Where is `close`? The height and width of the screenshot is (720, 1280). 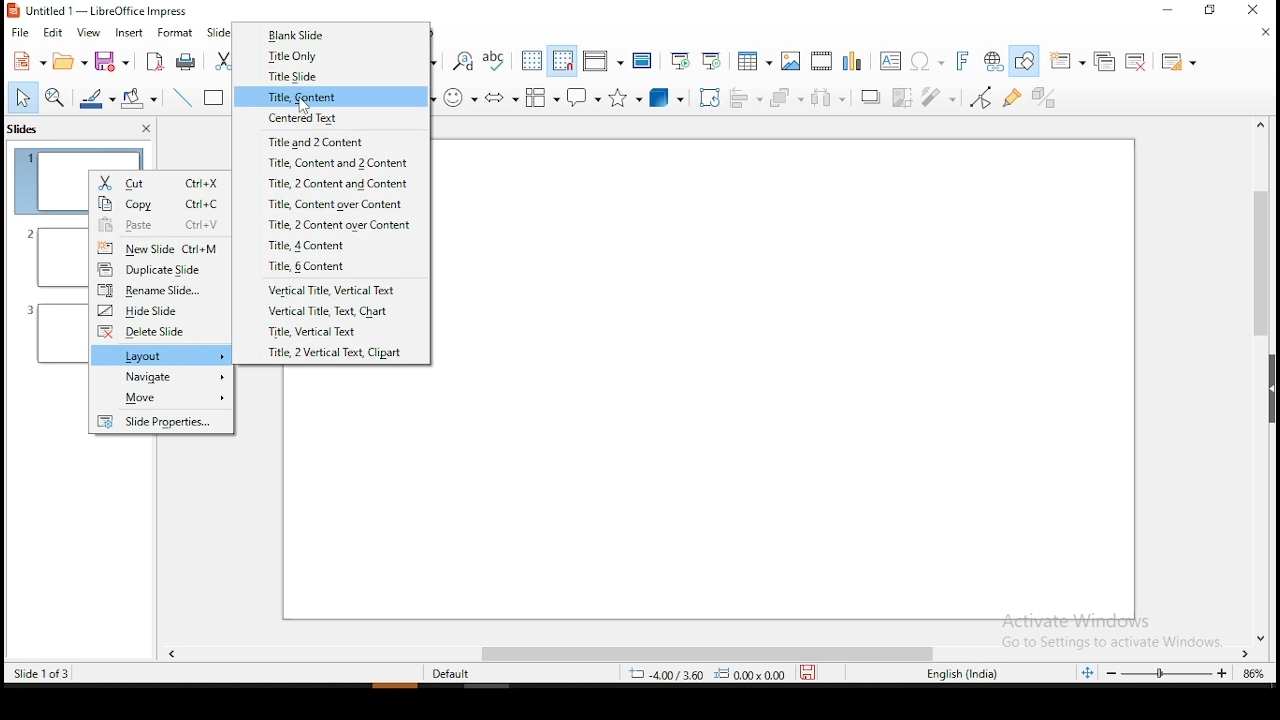 close is located at coordinates (1265, 36).